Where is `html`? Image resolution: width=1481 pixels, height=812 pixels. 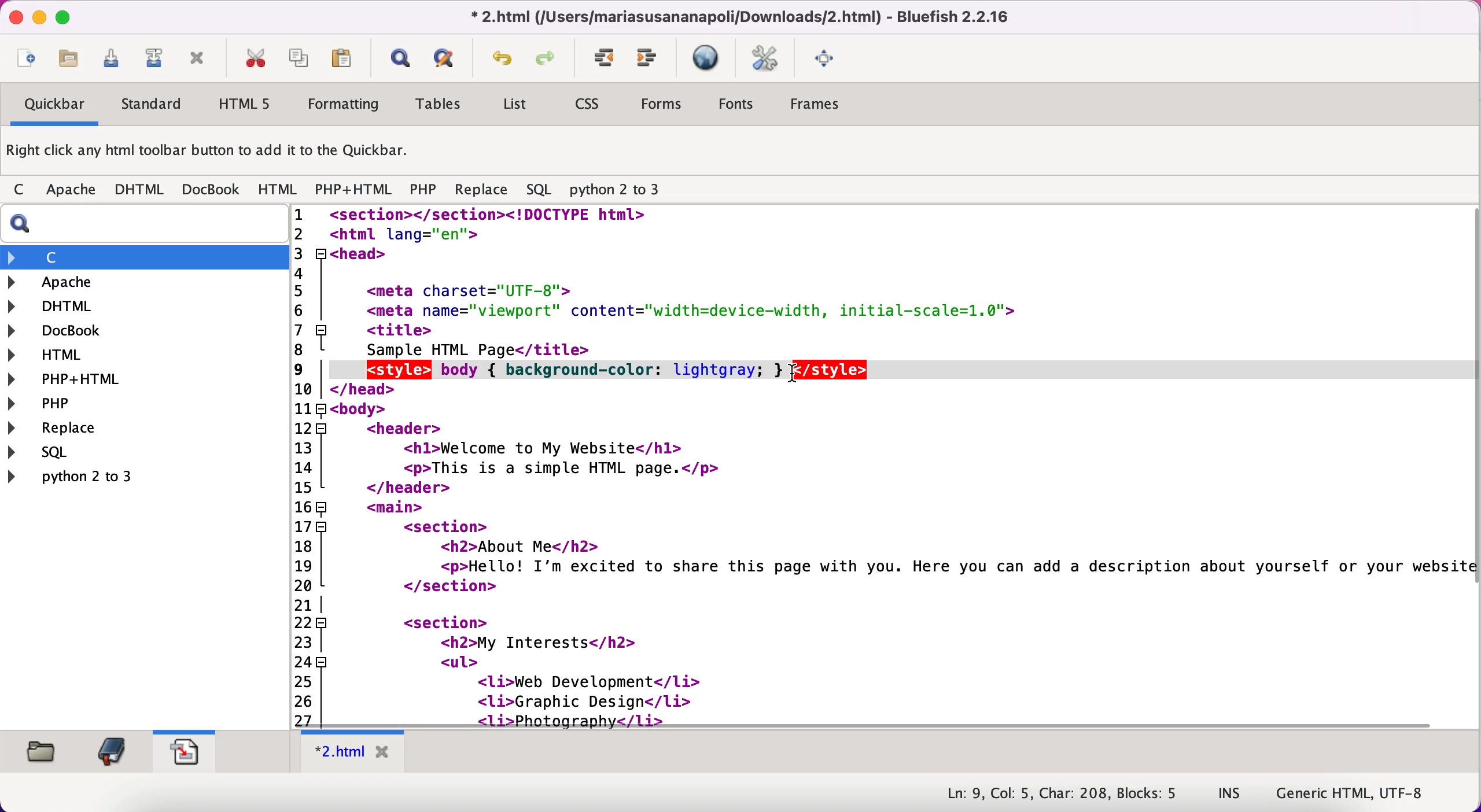
html is located at coordinates (58, 357).